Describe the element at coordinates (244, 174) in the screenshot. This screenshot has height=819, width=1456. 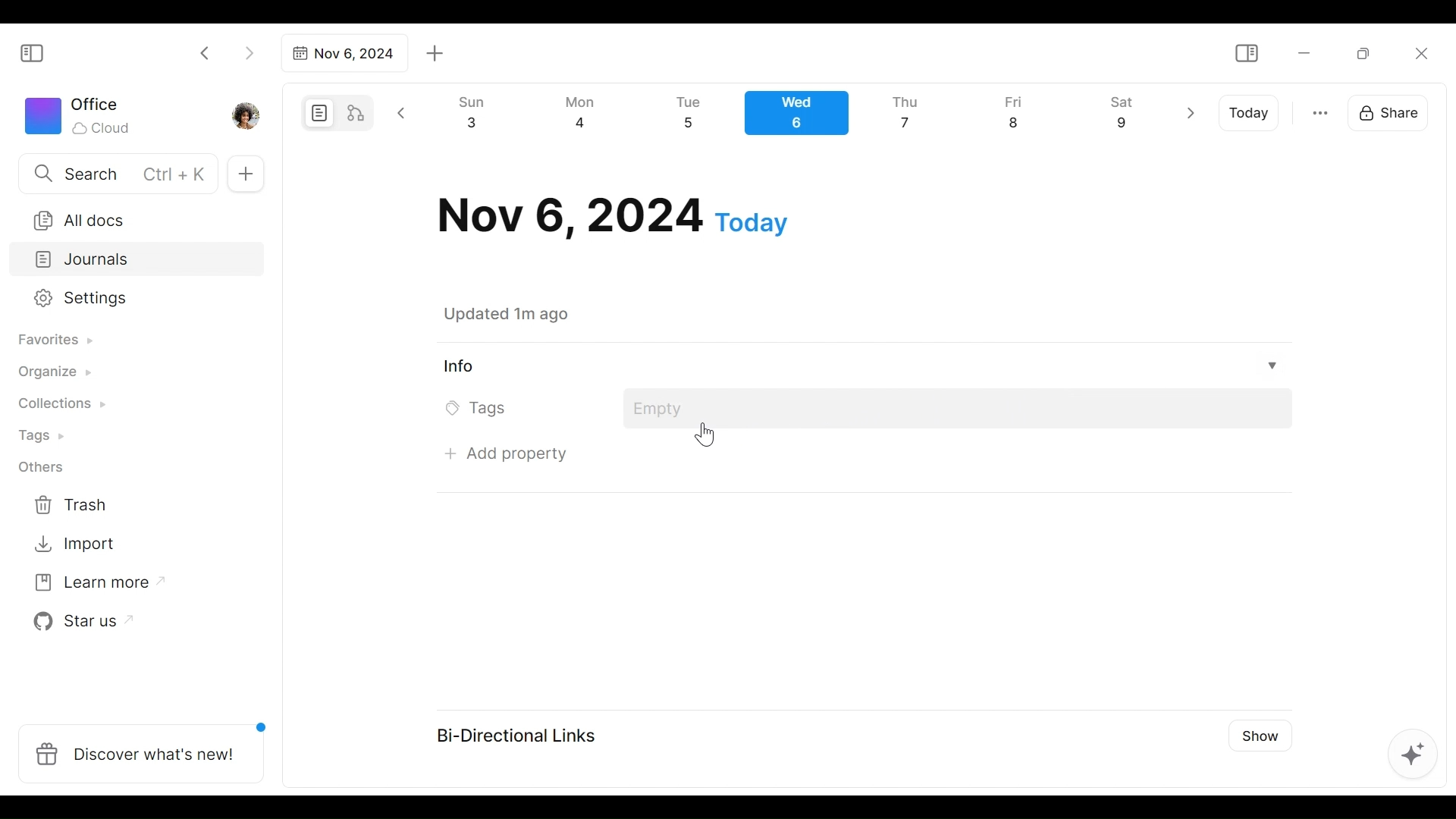
I see `Add new ` at that location.